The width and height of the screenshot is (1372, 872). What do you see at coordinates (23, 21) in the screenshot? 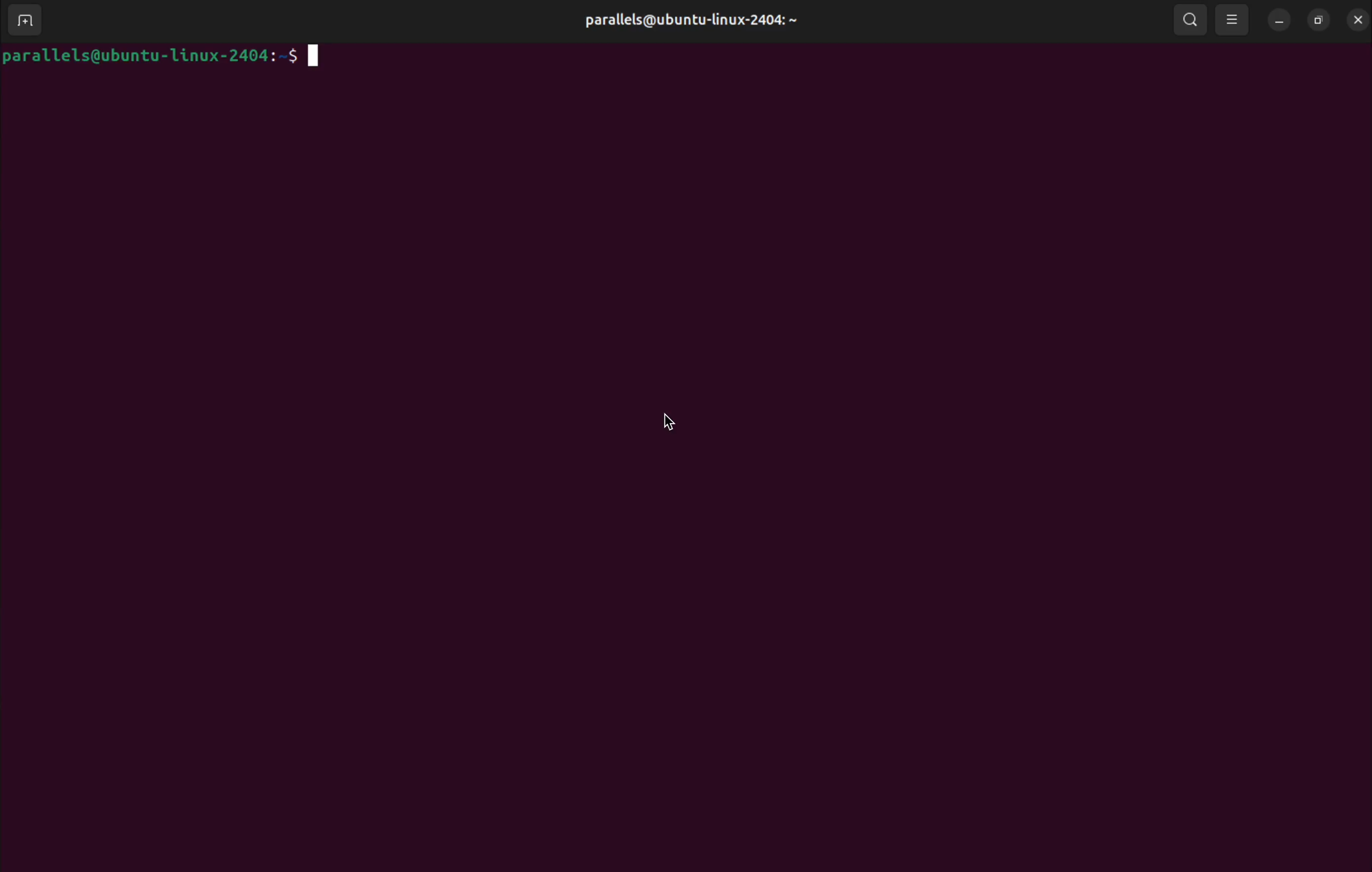
I see `add new window` at bounding box center [23, 21].